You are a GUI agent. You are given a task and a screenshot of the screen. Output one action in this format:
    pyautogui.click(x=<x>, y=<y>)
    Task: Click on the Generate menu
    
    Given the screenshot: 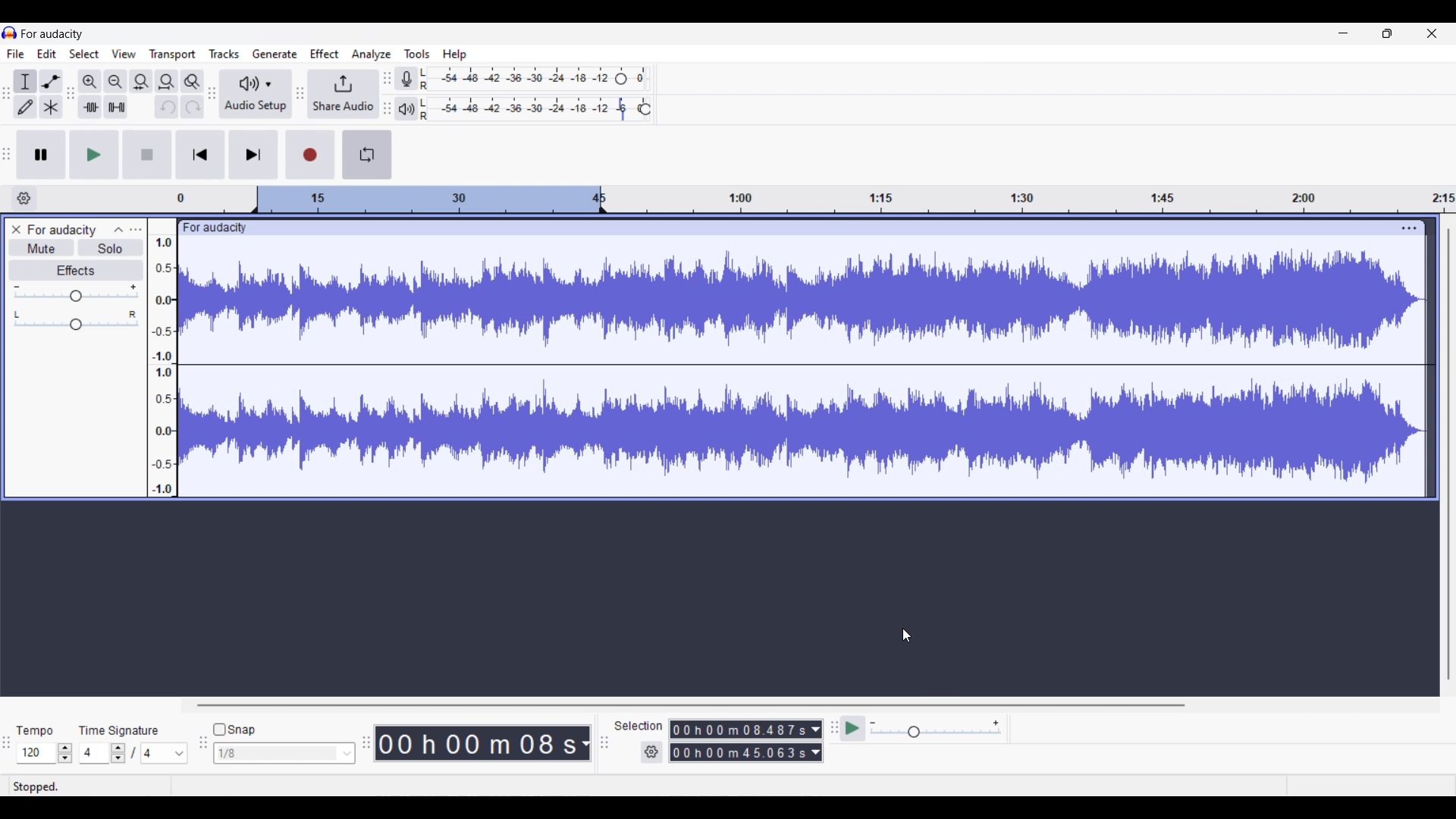 What is the action you would take?
    pyautogui.click(x=275, y=54)
    